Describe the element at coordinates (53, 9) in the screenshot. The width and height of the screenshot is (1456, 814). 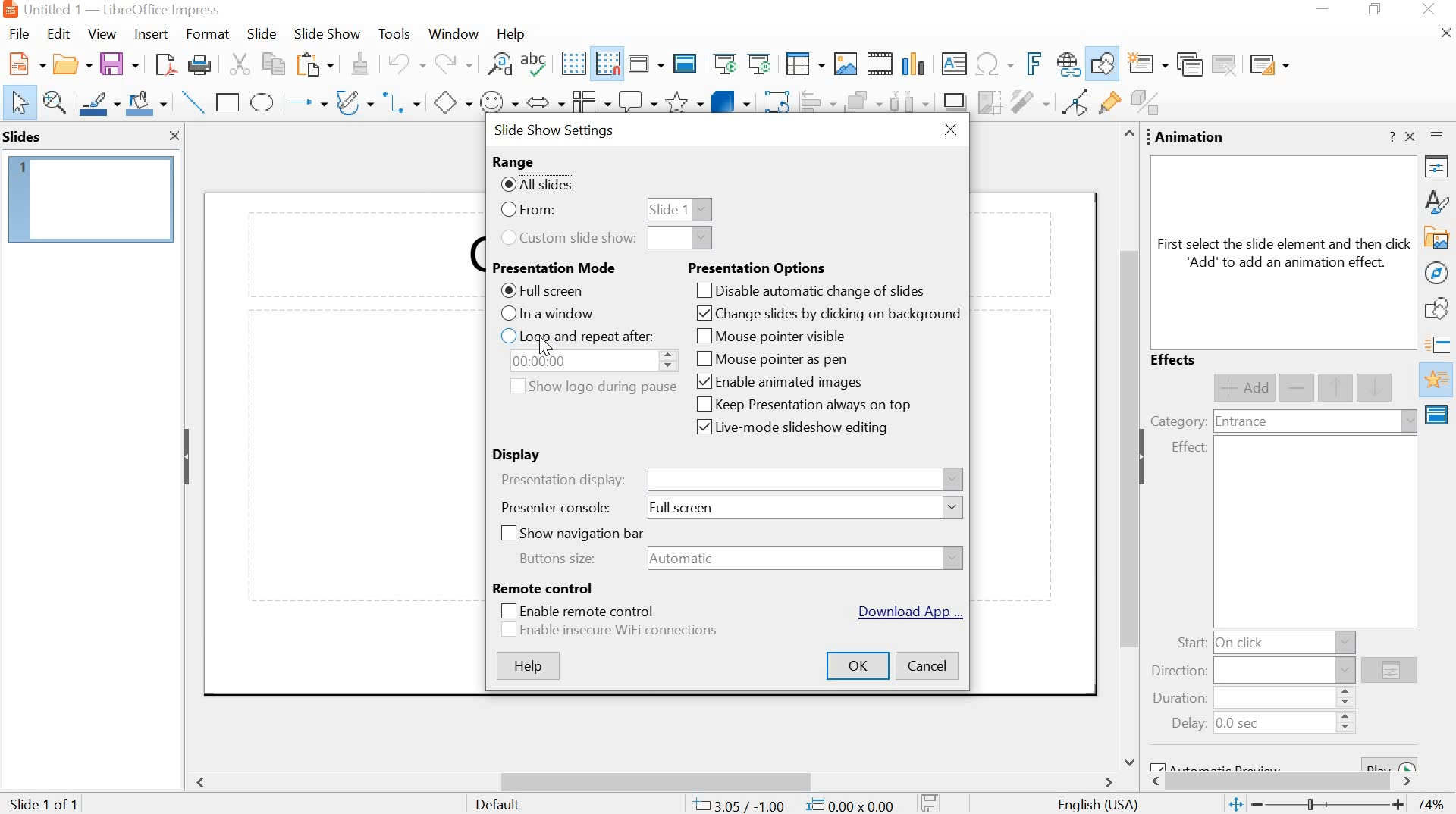
I see `file name` at that location.